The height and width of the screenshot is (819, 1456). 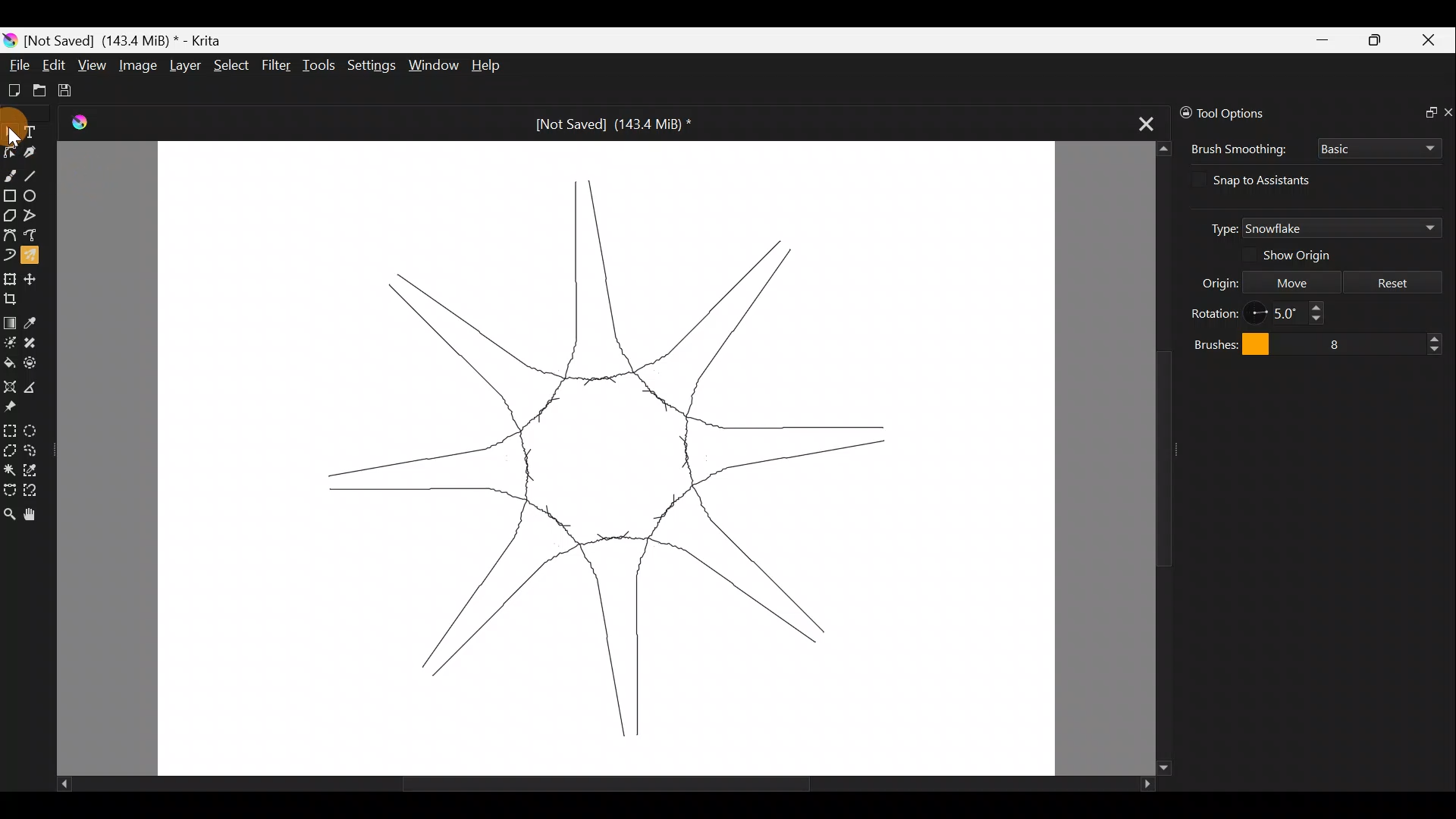 What do you see at coordinates (1215, 311) in the screenshot?
I see `Rotation` at bounding box center [1215, 311].